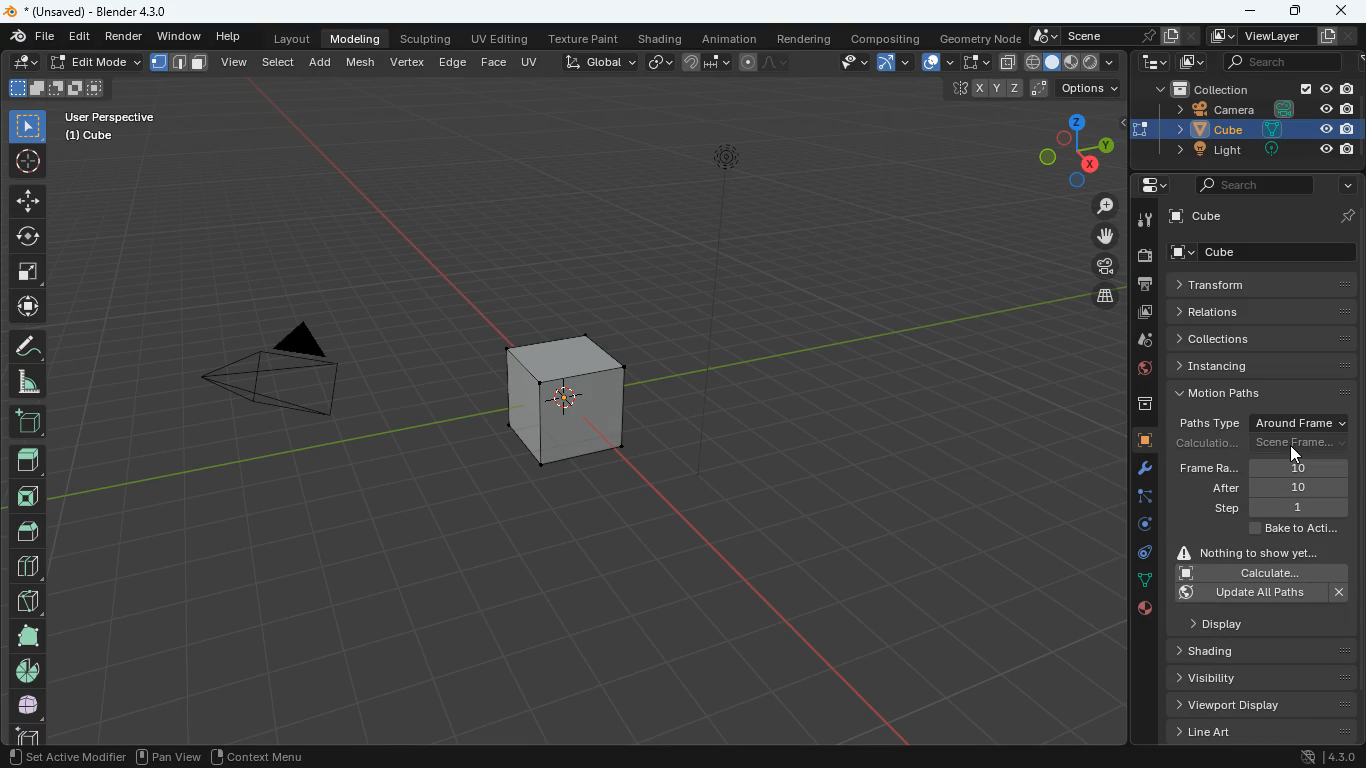  What do you see at coordinates (1223, 650) in the screenshot?
I see `Shading` at bounding box center [1223, 650].